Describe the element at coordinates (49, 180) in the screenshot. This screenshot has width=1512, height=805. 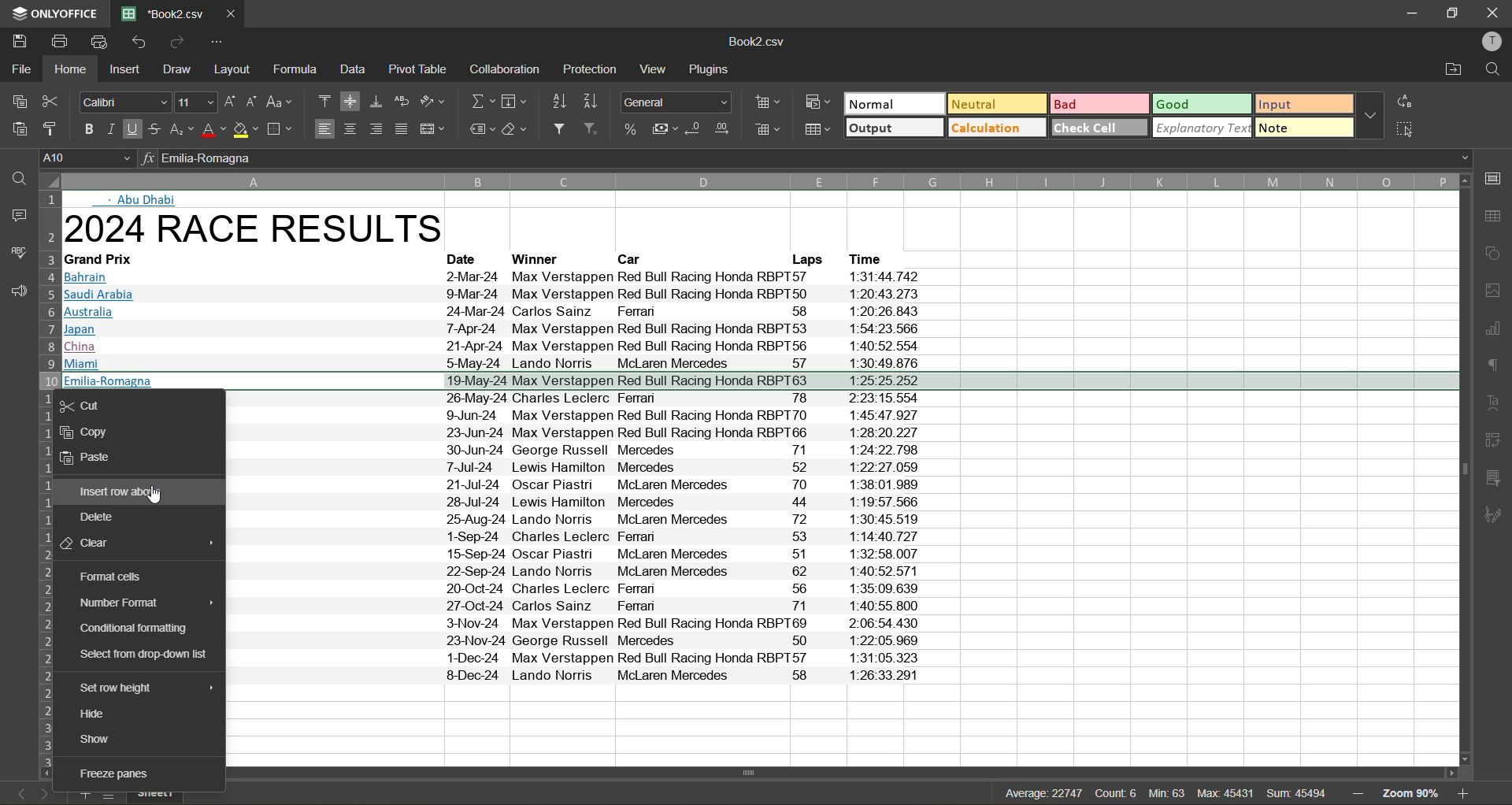
I see `select whole sheet` at that location.